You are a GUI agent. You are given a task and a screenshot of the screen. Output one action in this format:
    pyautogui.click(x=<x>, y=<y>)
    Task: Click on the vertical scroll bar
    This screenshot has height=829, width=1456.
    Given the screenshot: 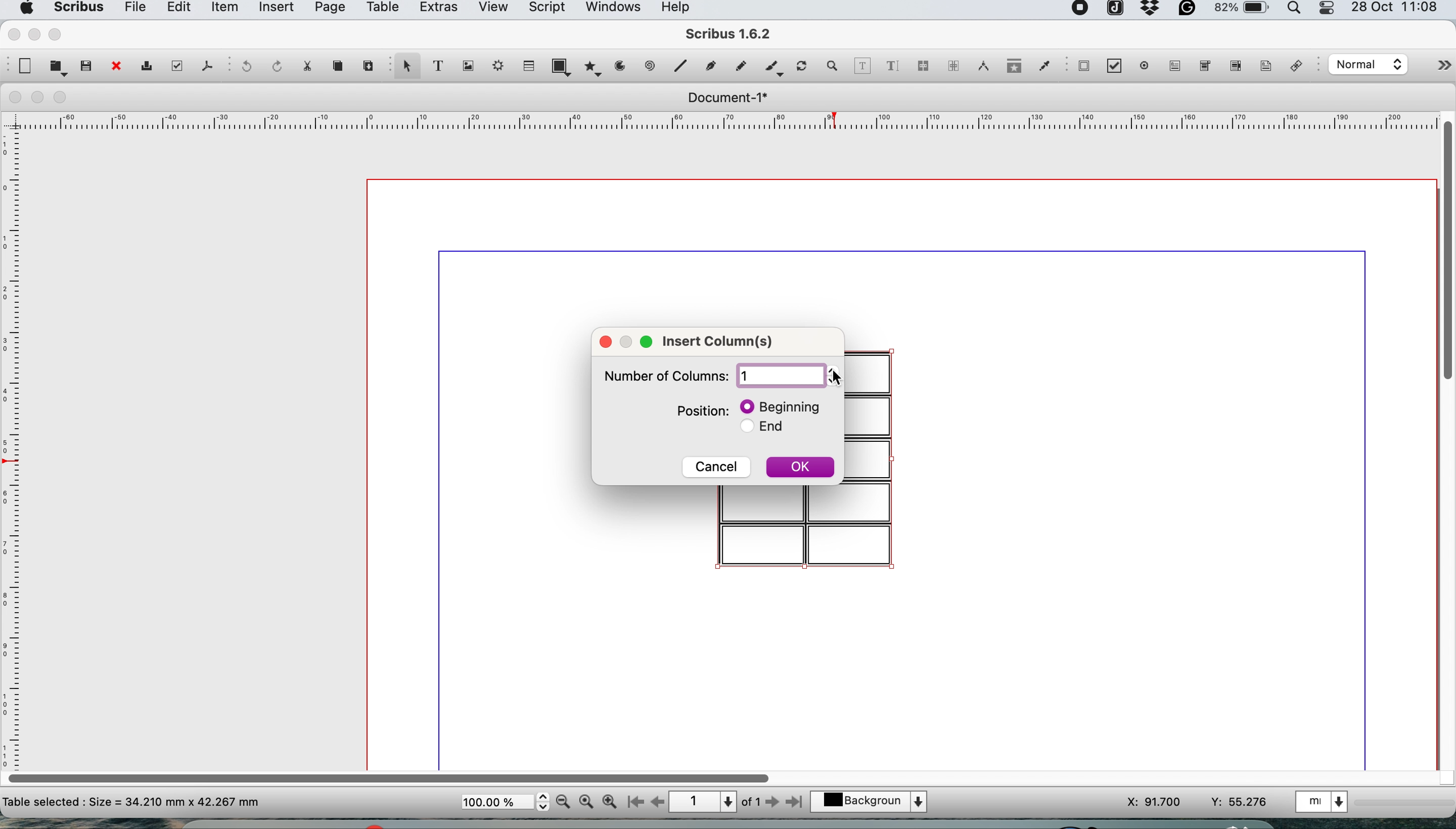 What is the action you would take?
    pyautogui.click(x=1446, y=248)
    